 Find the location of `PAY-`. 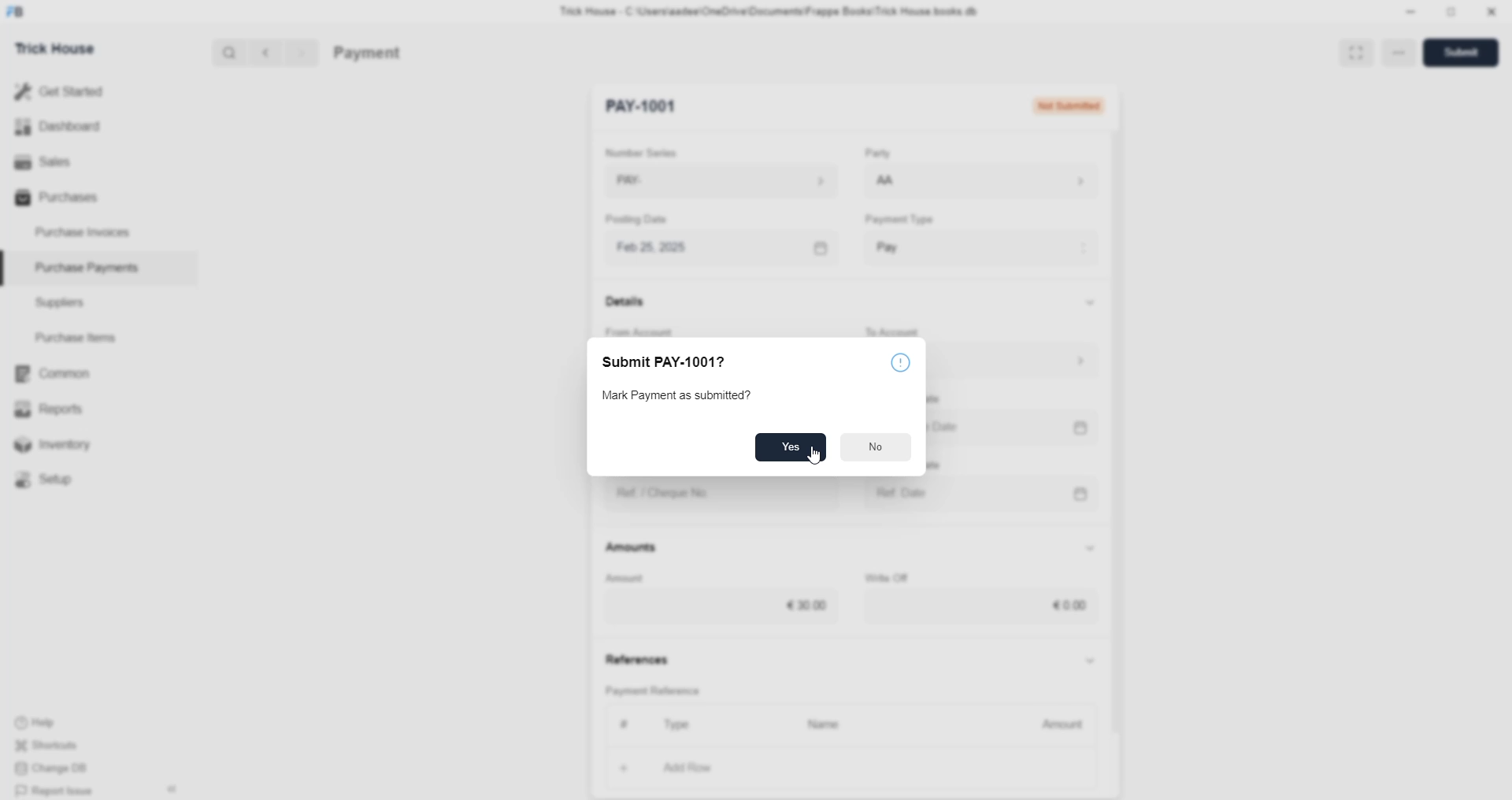

PAY- is located at coordinates (643, 183).